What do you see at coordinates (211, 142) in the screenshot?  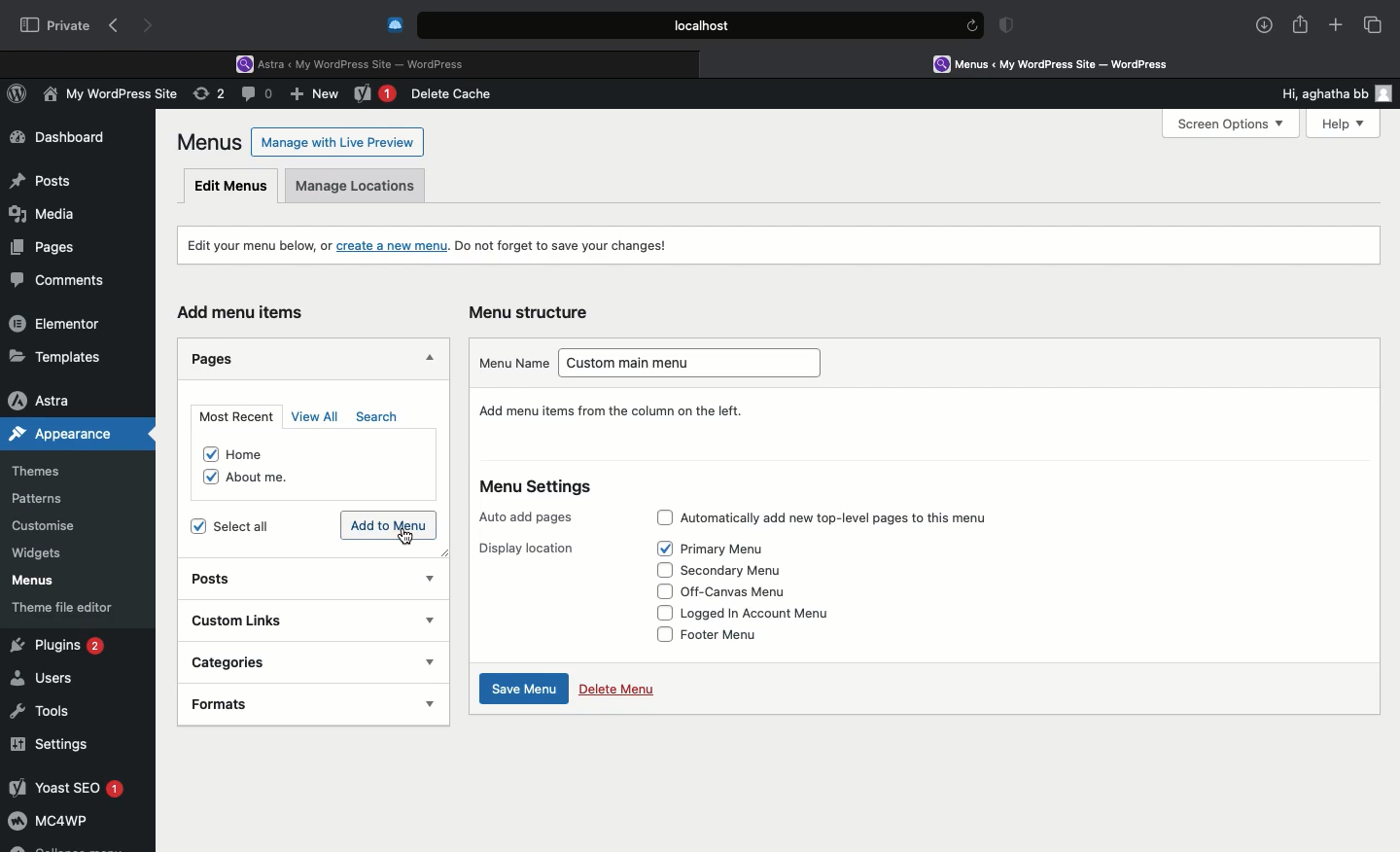 I see `Menus` at bounding box center [211, 142].